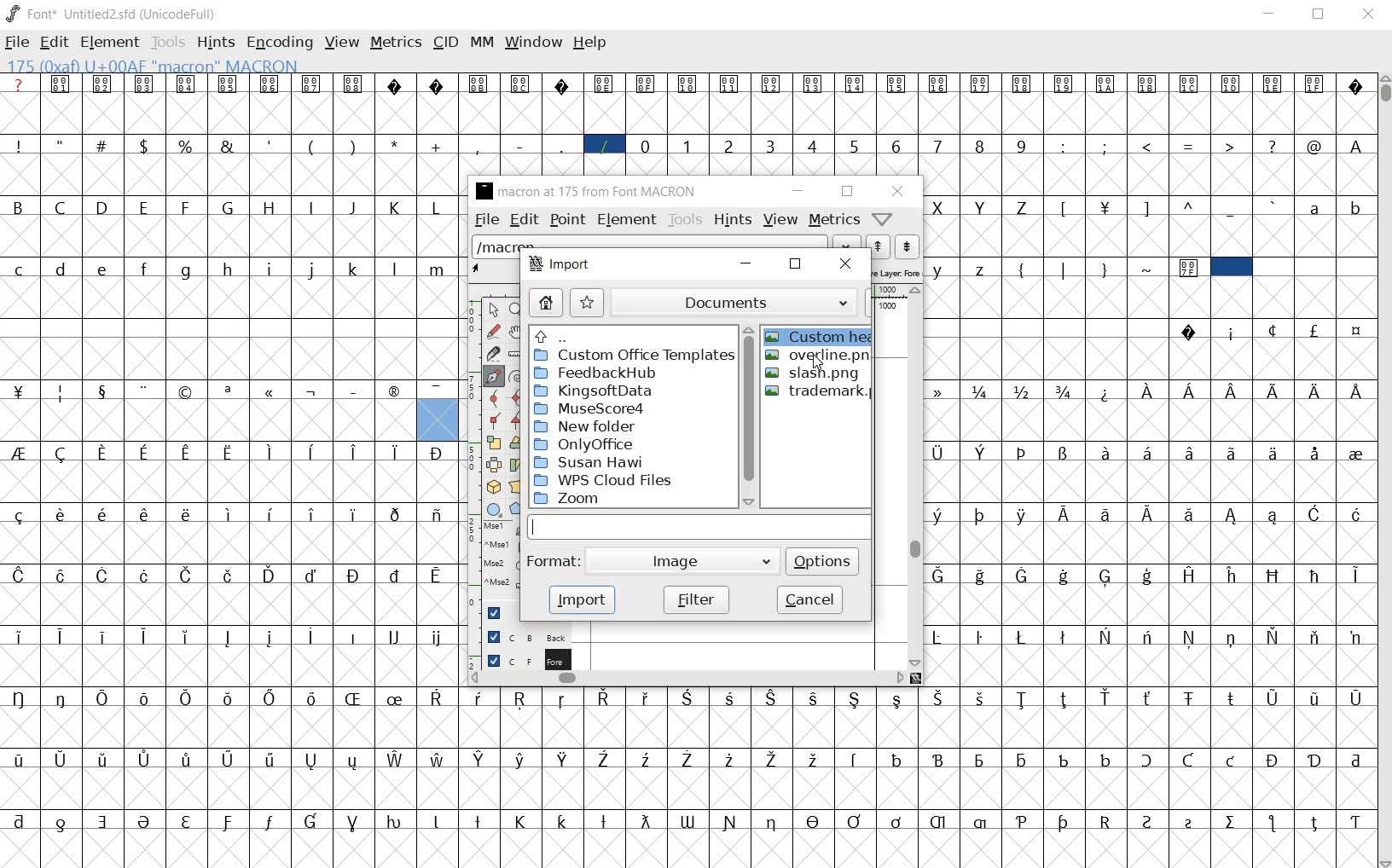  Describe the element at coordinates (314, 391) in the screenshot. I see `Symbol` at that location.